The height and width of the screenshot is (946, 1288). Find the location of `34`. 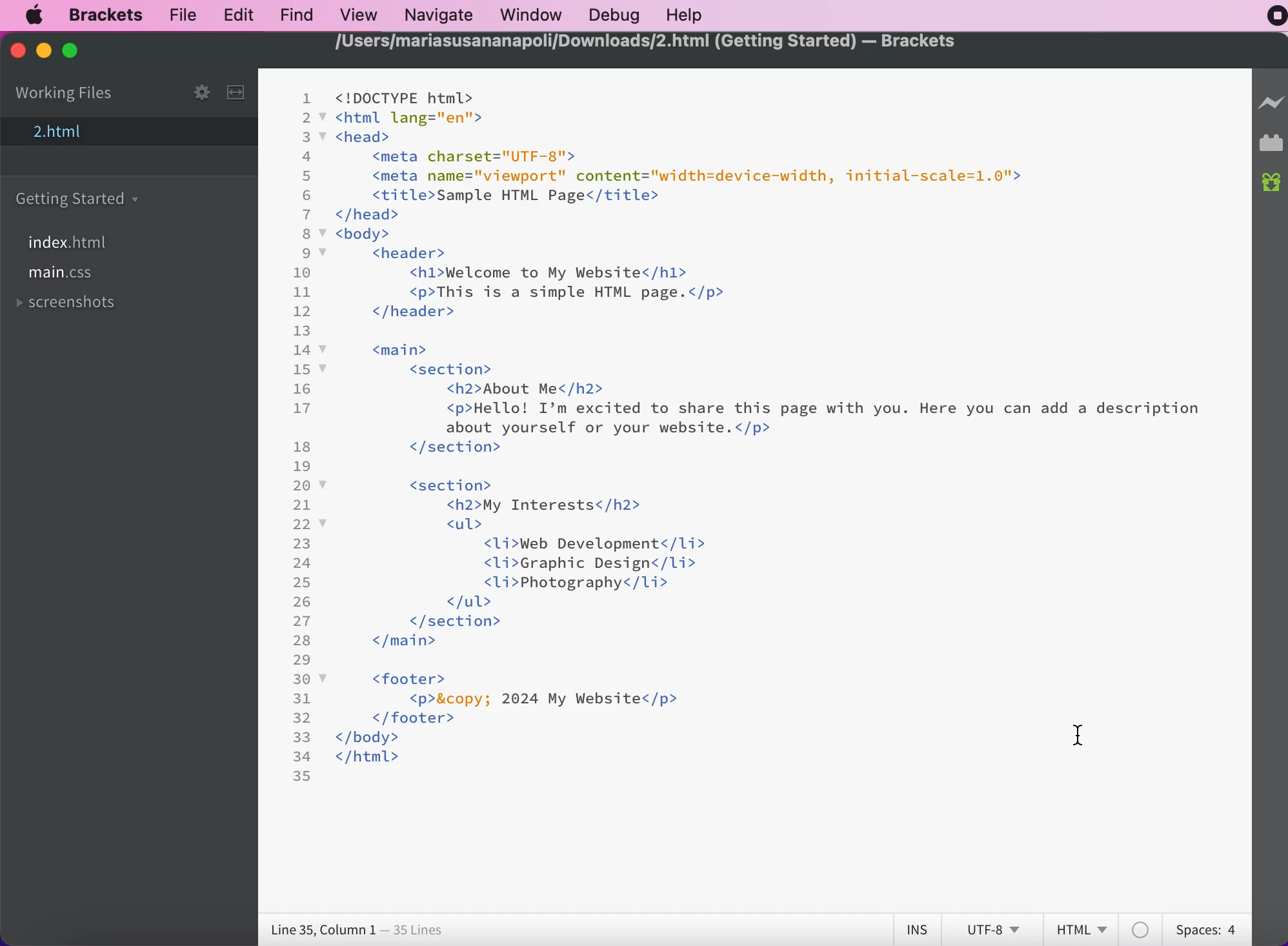

34 is located at coordinates (303, 757).